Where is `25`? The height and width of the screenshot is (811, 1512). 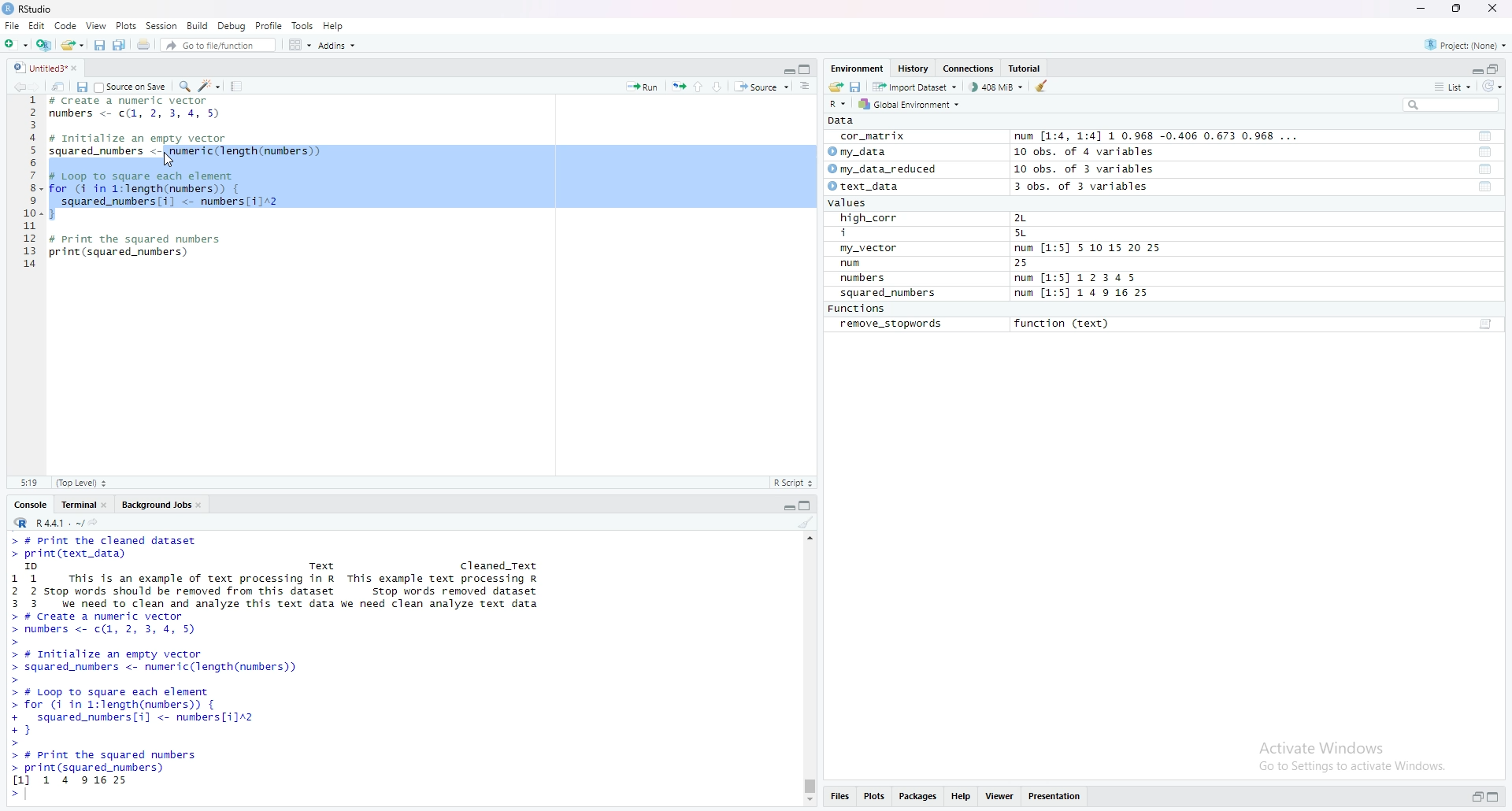 25 is located at coordinates (1037, 264).